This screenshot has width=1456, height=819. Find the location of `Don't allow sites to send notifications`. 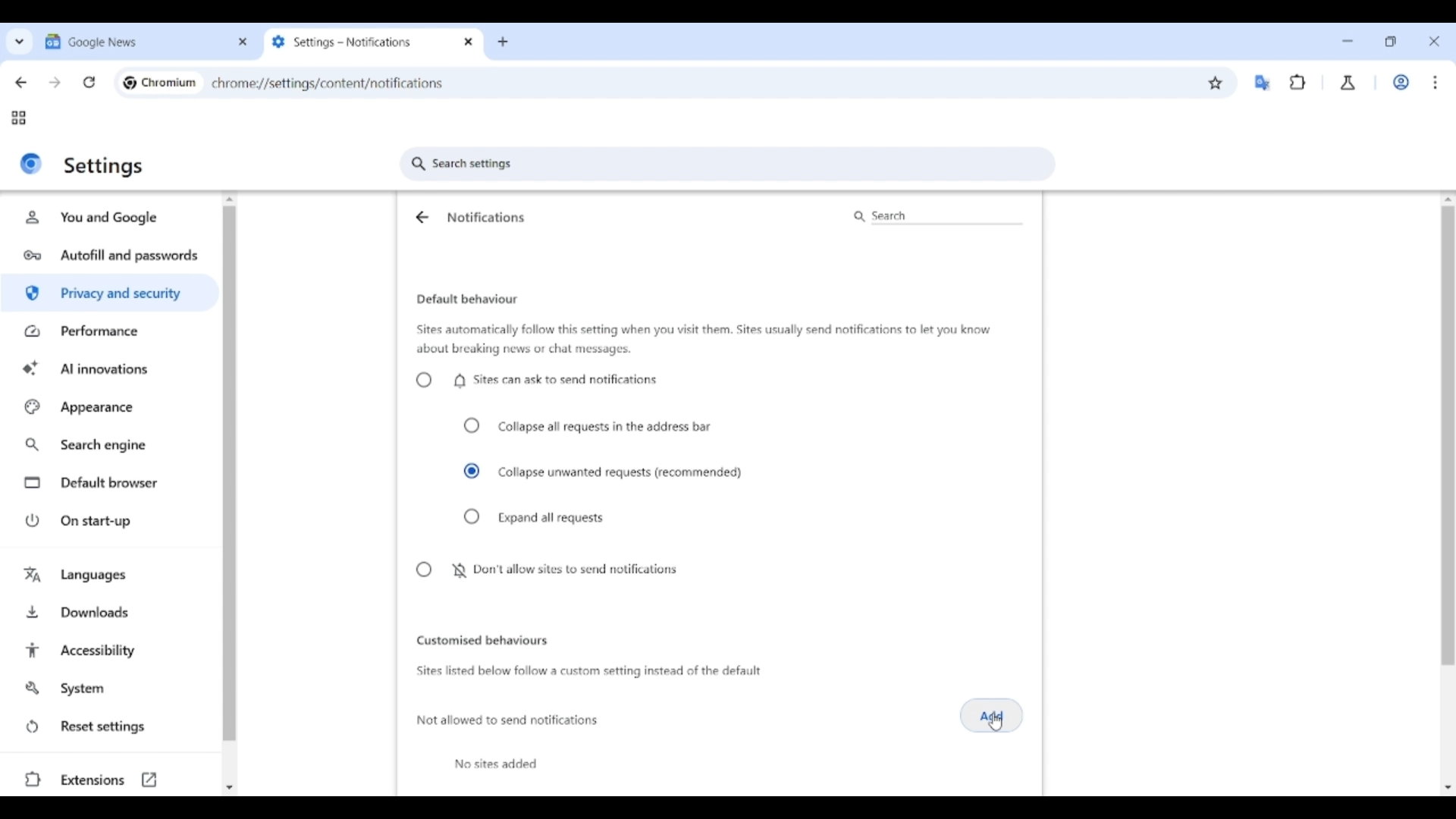

Don't allow sites to send notifications is located at coordinates (545, 570).